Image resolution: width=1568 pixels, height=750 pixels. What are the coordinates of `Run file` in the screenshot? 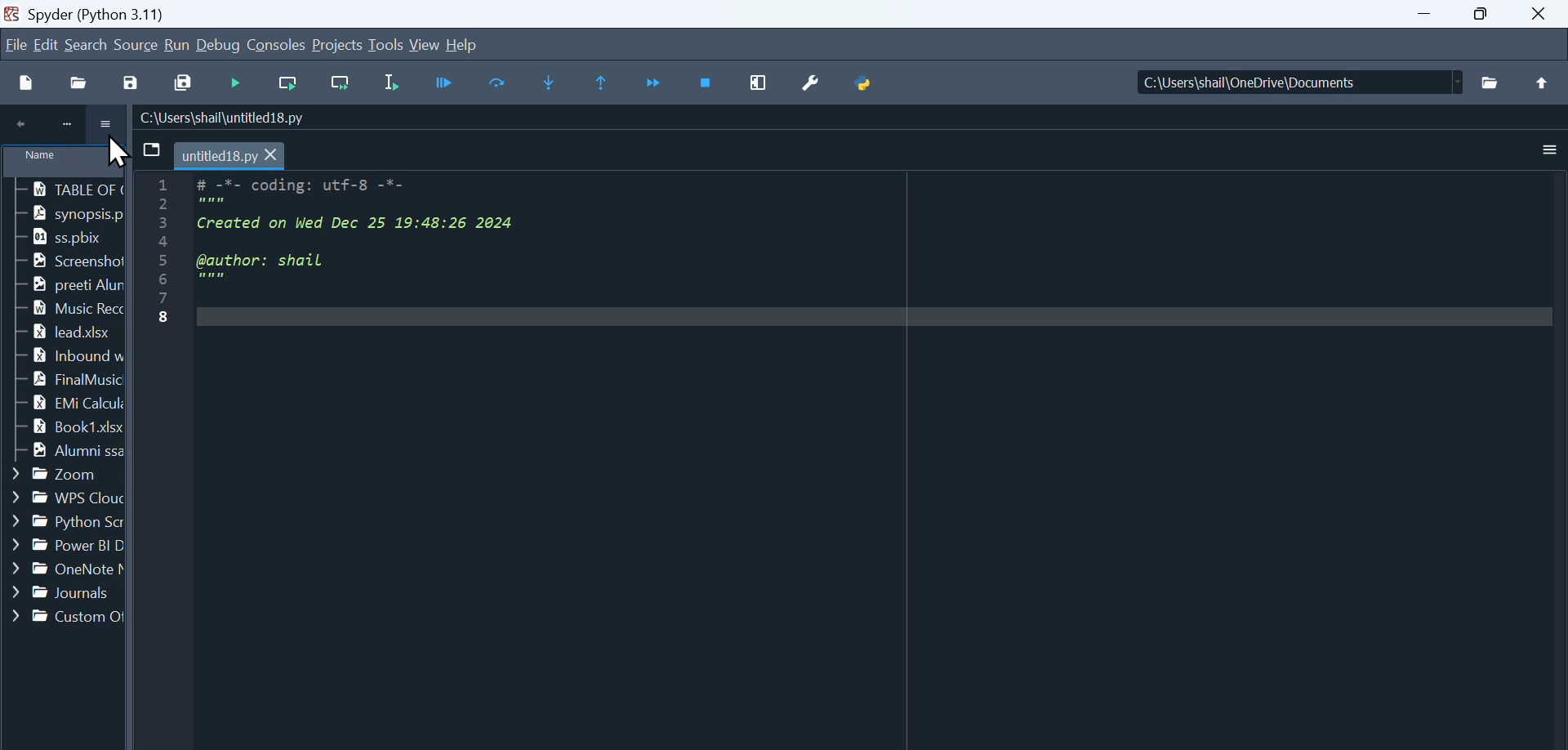 It's located at (238, 83).